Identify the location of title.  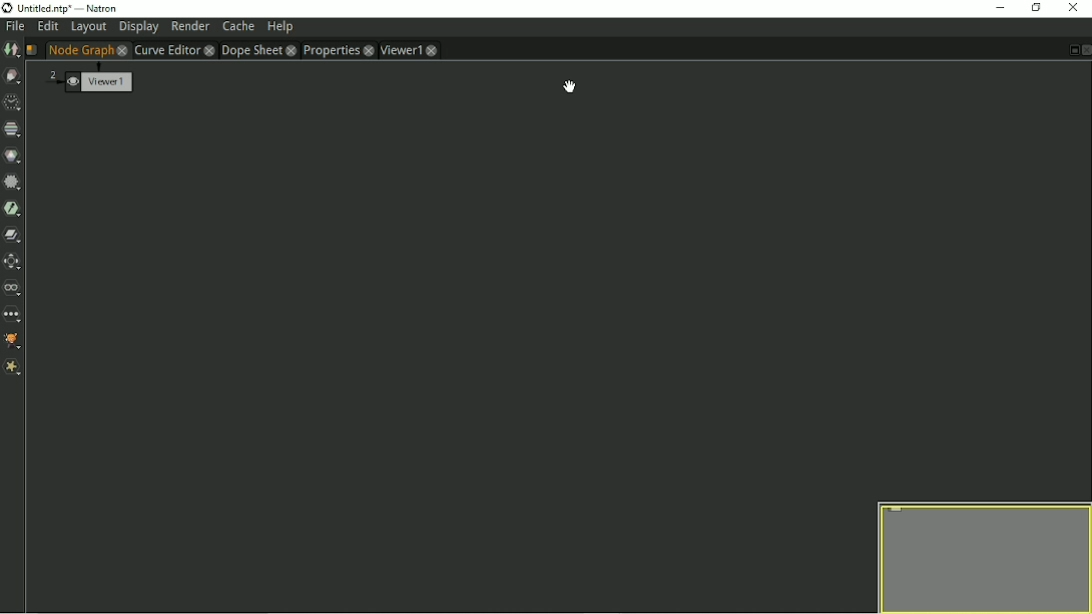
(69, 10).